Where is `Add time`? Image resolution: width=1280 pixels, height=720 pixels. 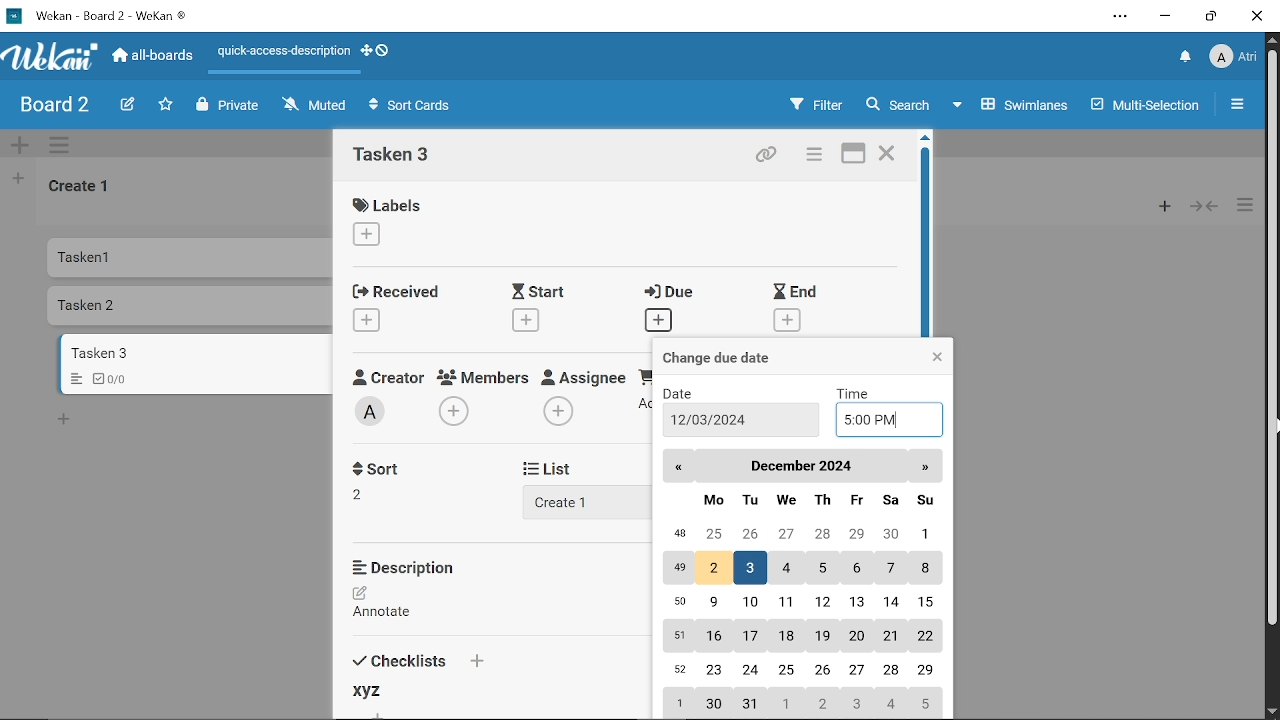 Add time is located at coordinates (886, 418).